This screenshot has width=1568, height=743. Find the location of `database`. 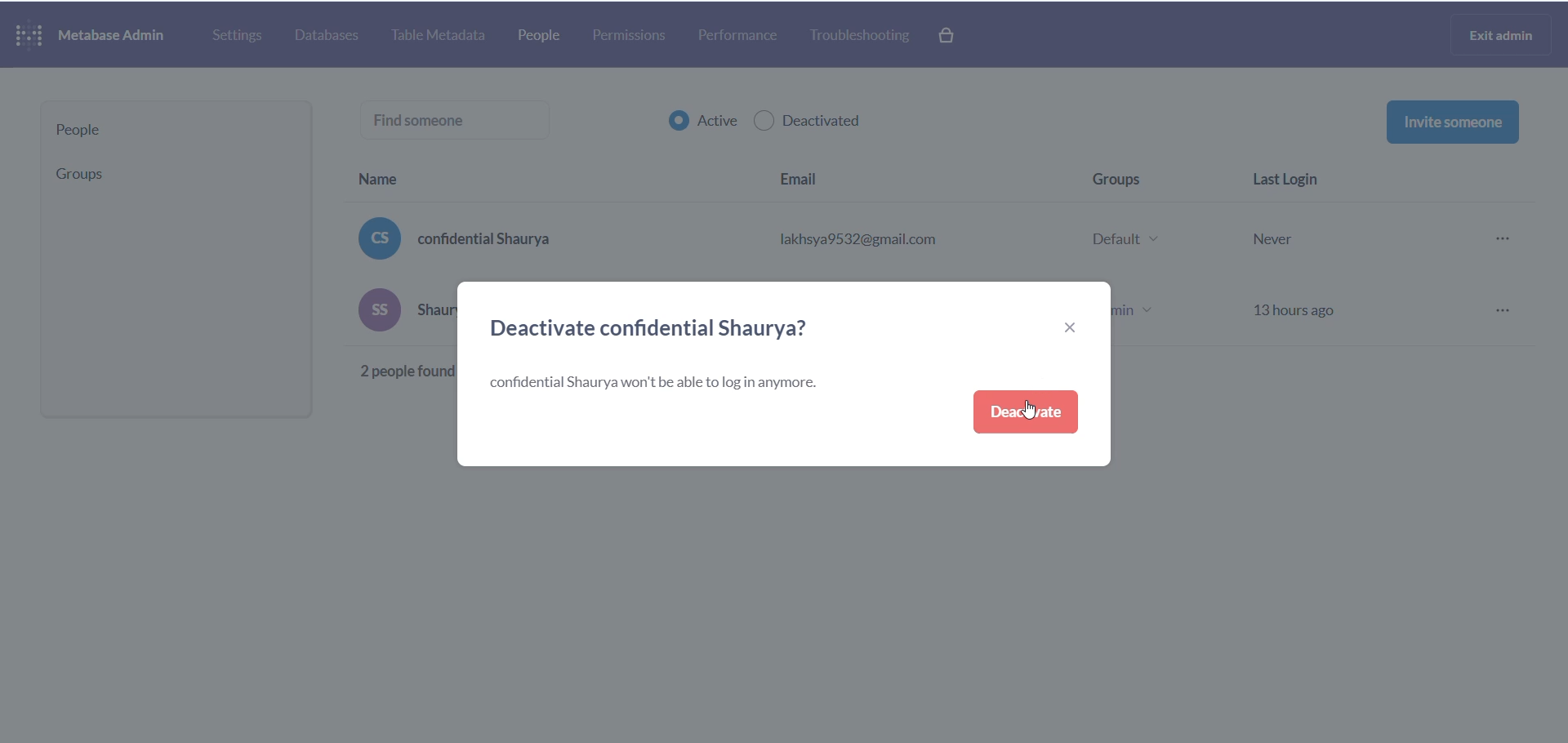

database is located at coordinates (325, 35).